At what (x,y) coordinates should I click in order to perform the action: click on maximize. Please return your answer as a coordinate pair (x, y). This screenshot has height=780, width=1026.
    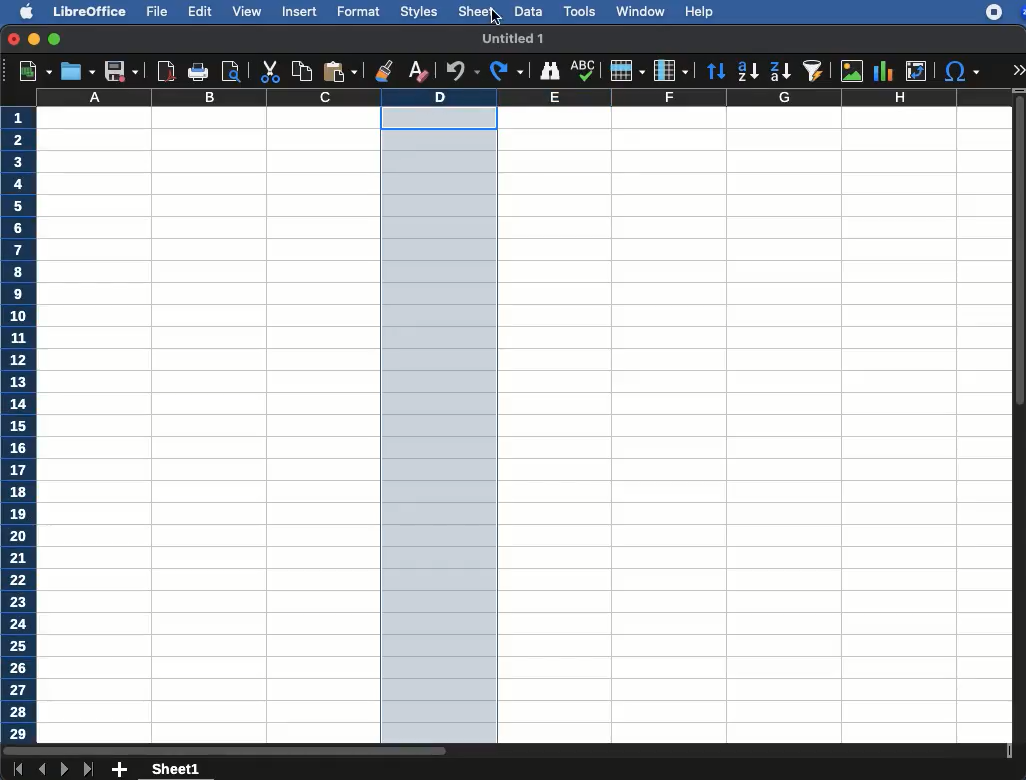
    Looking at the image, I should click on (56, 40).